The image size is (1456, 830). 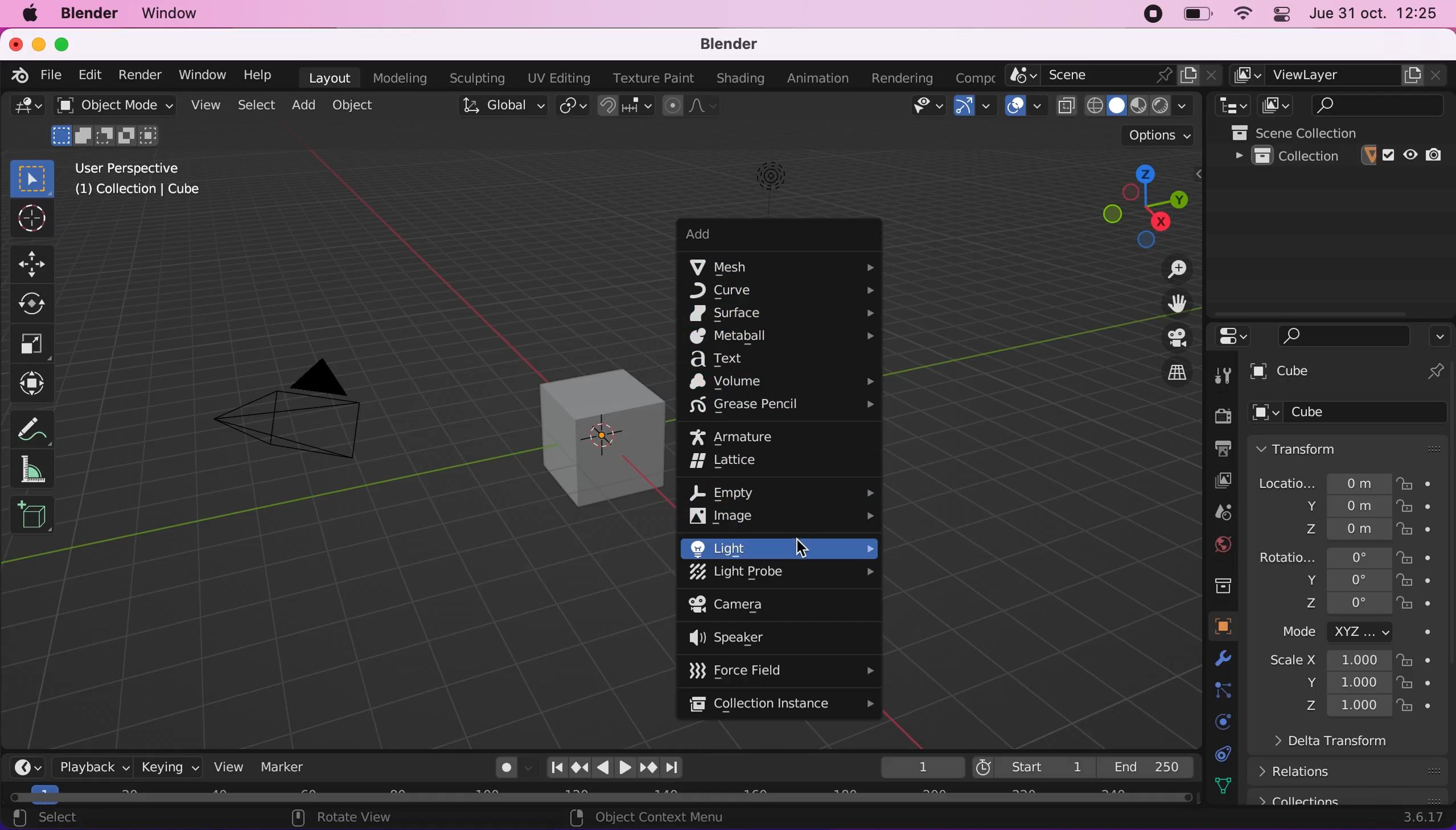 I want to click on uv editing, so click(x=556, y=78).